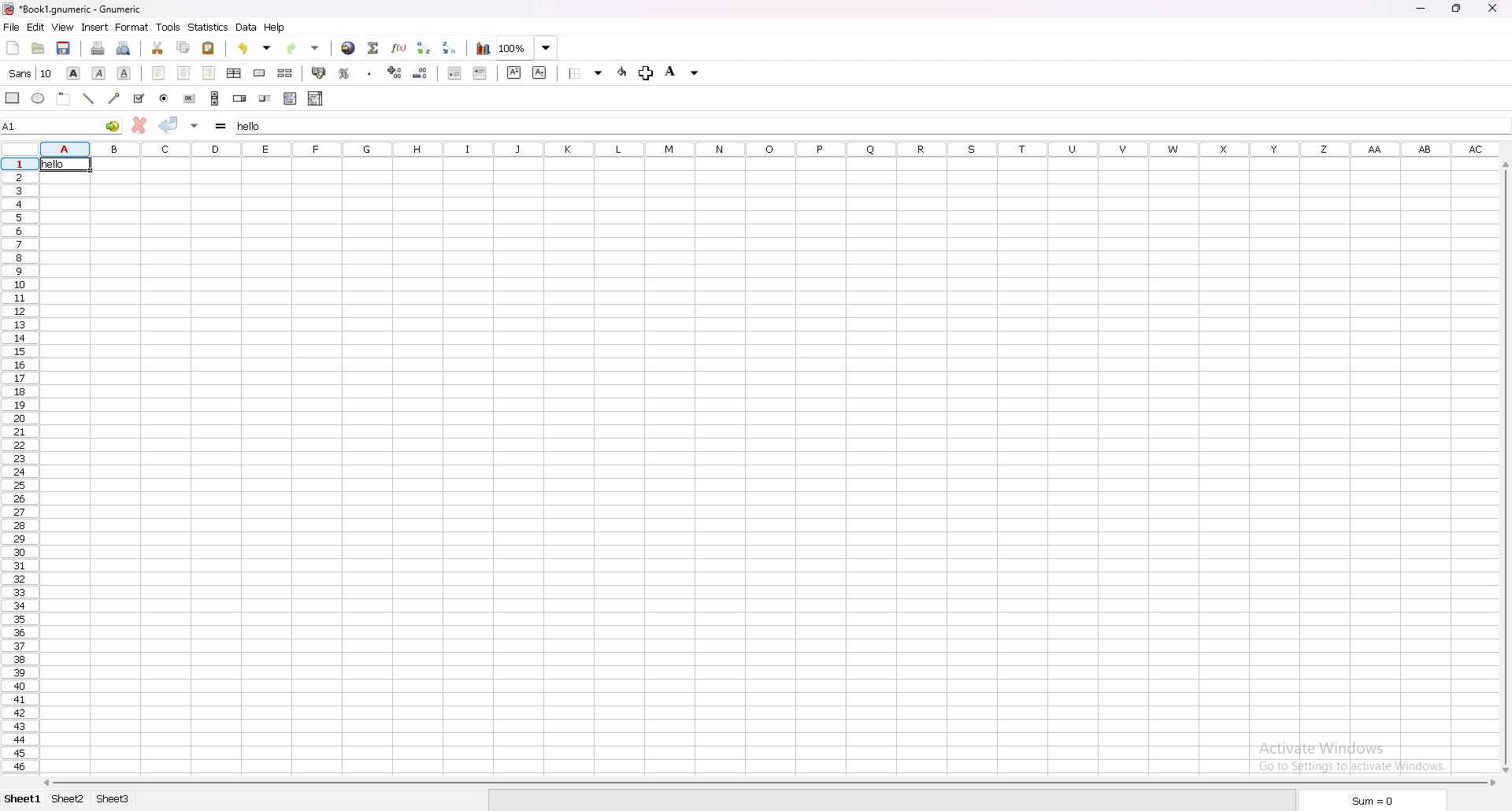 This screenshot has width=1512, height=811. Describe the element at coordinates (369, 73) in the screenshot. I see `thousands separator` at that location.